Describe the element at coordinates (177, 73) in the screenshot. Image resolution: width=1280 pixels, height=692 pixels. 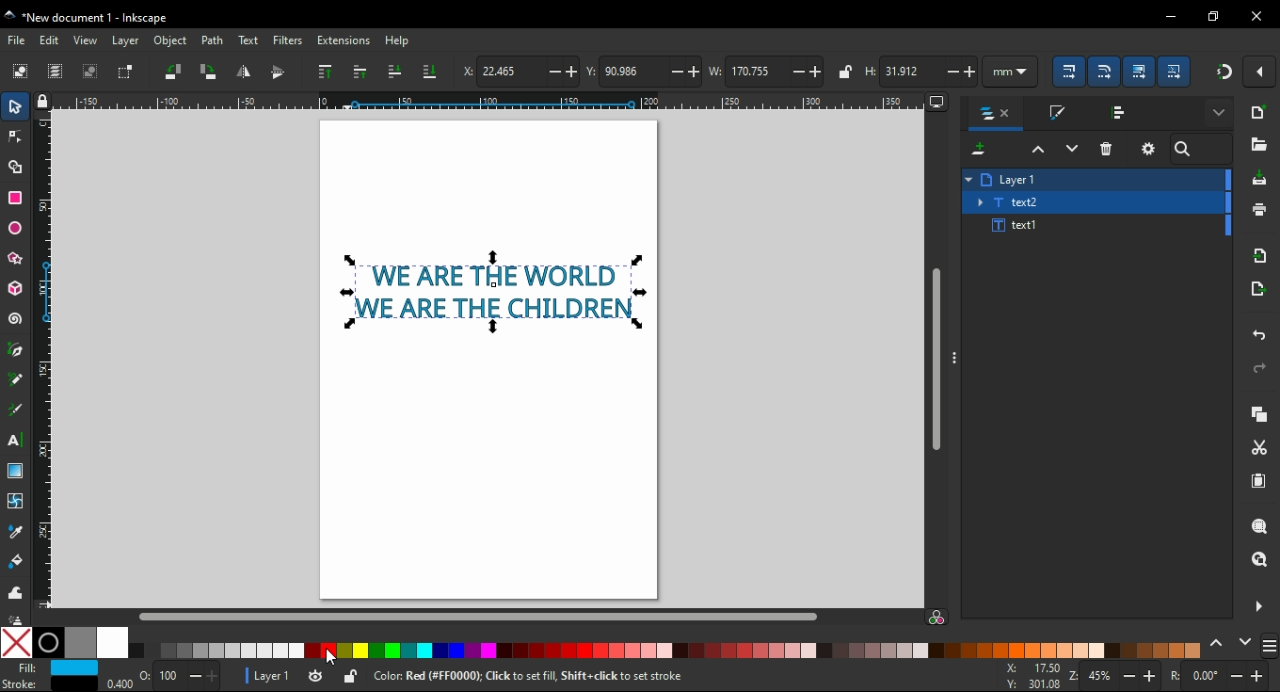
I see `object rotate 90 CCW` at that location.